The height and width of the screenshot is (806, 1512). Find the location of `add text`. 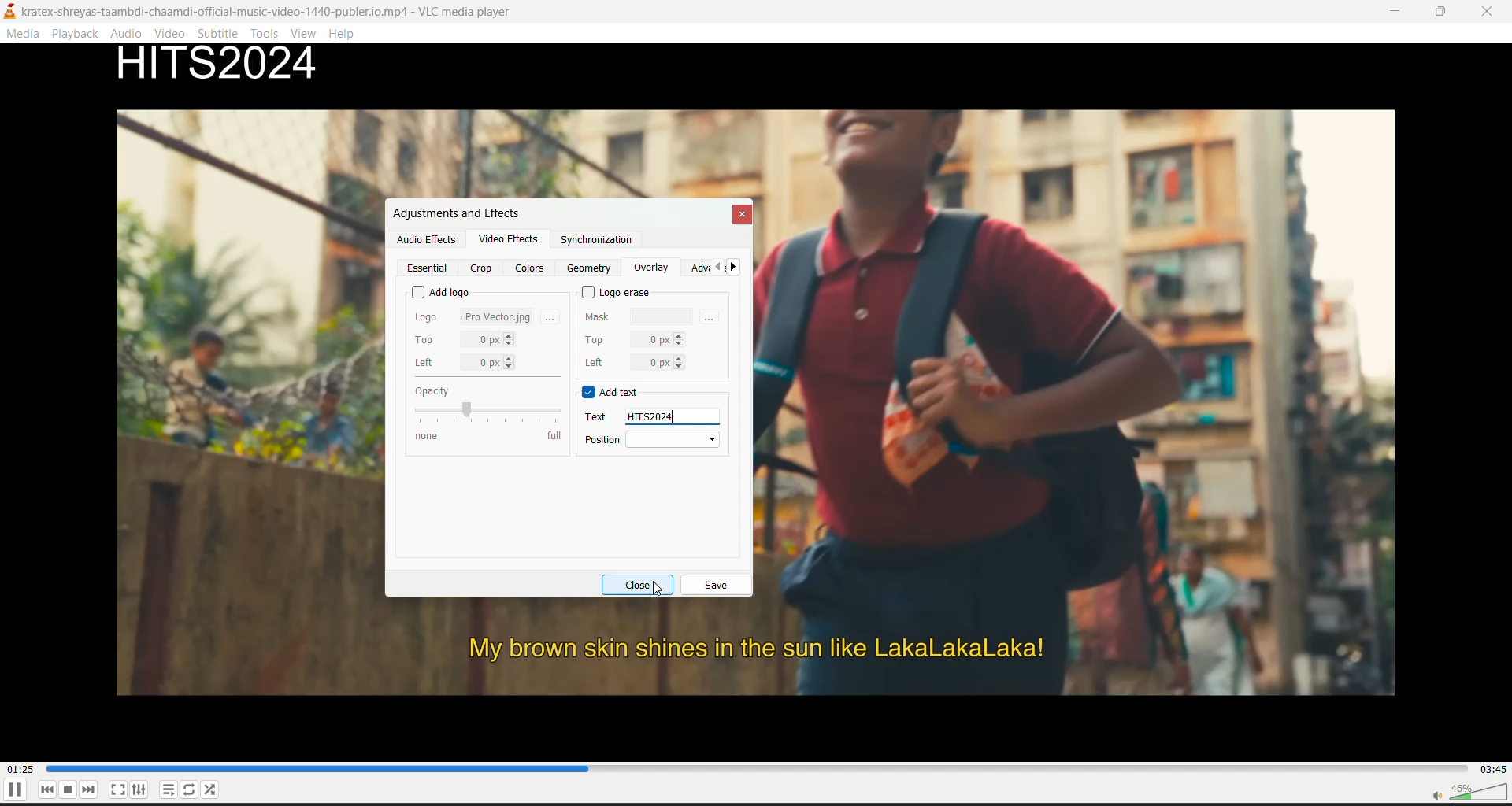

add text is located at coordinates (613, 394).